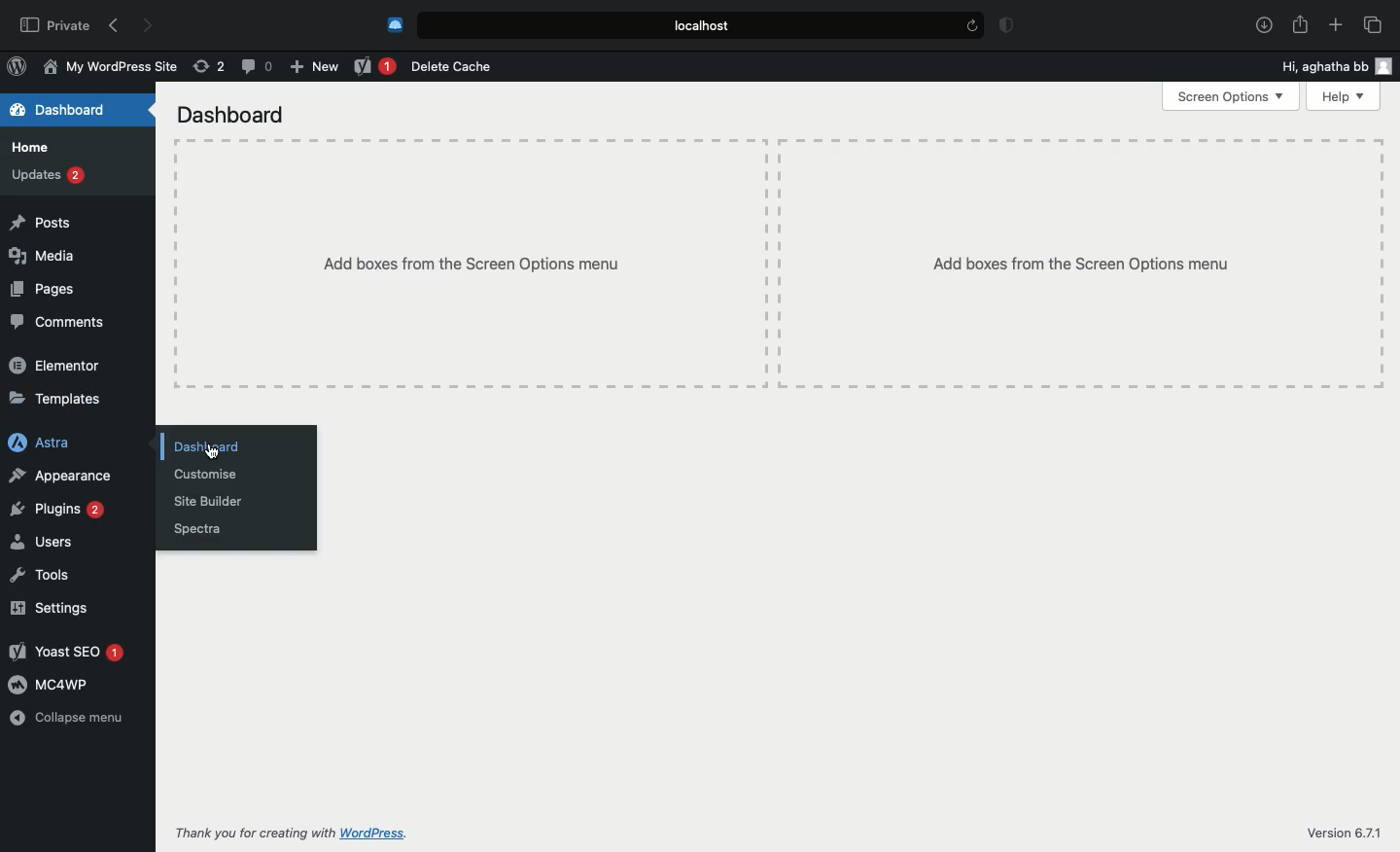 Image resolution: width=1400 pixels, height=852 pixels. I want to click on Forward, so click(151, 25).